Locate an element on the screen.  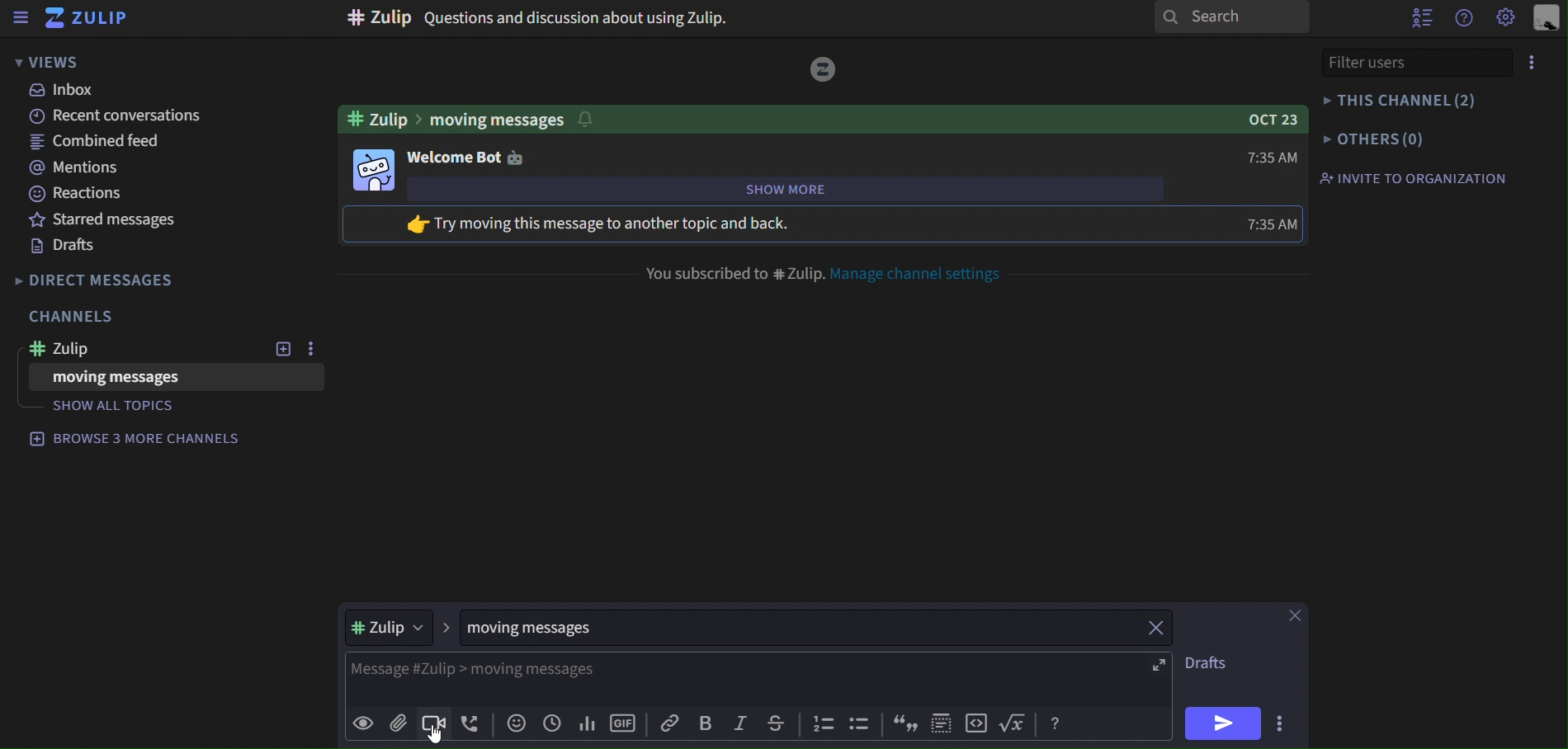
 is located at coordinates (824, 68).